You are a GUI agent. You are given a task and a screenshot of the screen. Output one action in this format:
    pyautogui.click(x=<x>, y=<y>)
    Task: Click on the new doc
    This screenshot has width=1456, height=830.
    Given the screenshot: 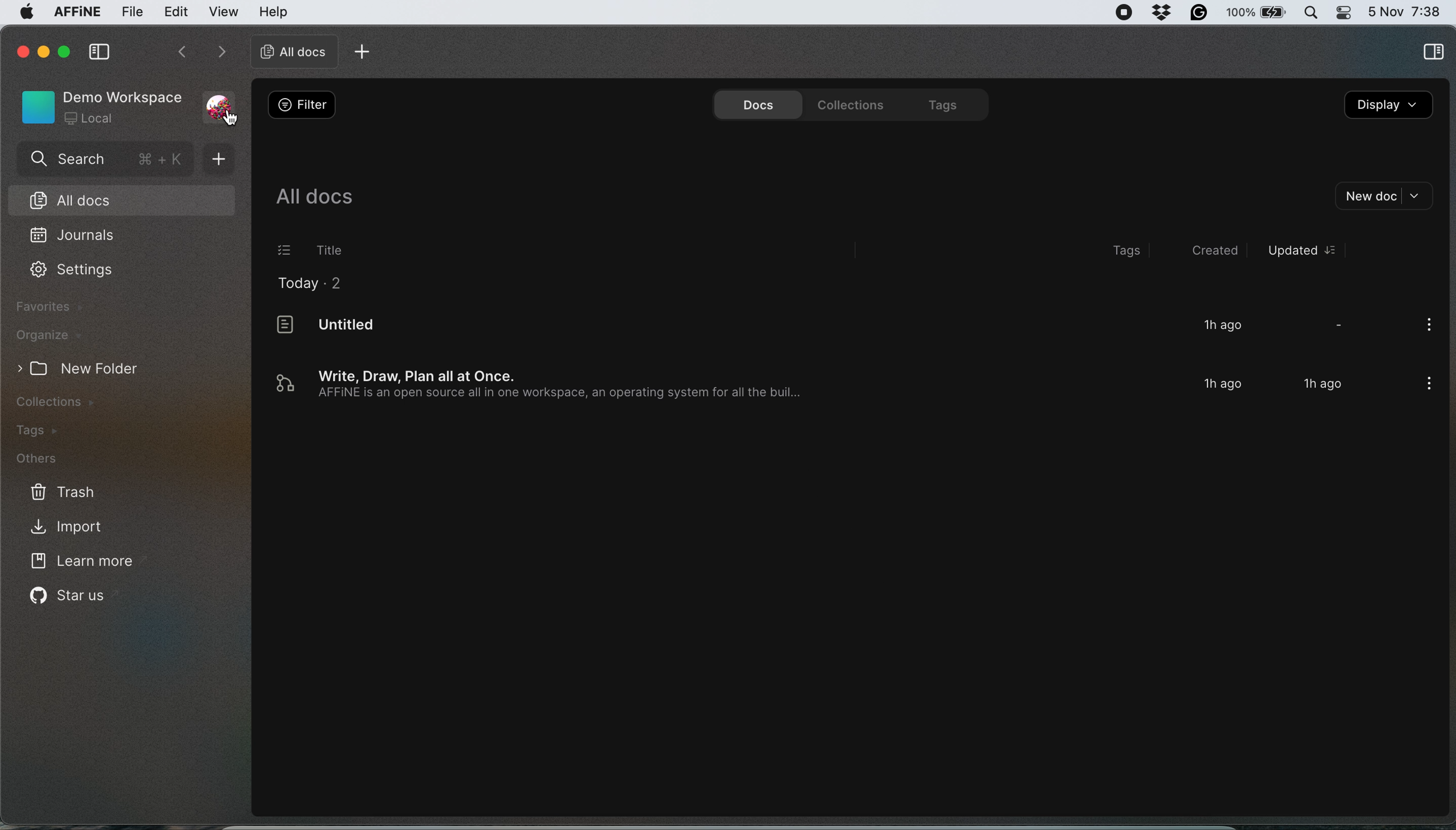 What is the action you would take?
    pyautogui.click(x=1386, y=196)
    